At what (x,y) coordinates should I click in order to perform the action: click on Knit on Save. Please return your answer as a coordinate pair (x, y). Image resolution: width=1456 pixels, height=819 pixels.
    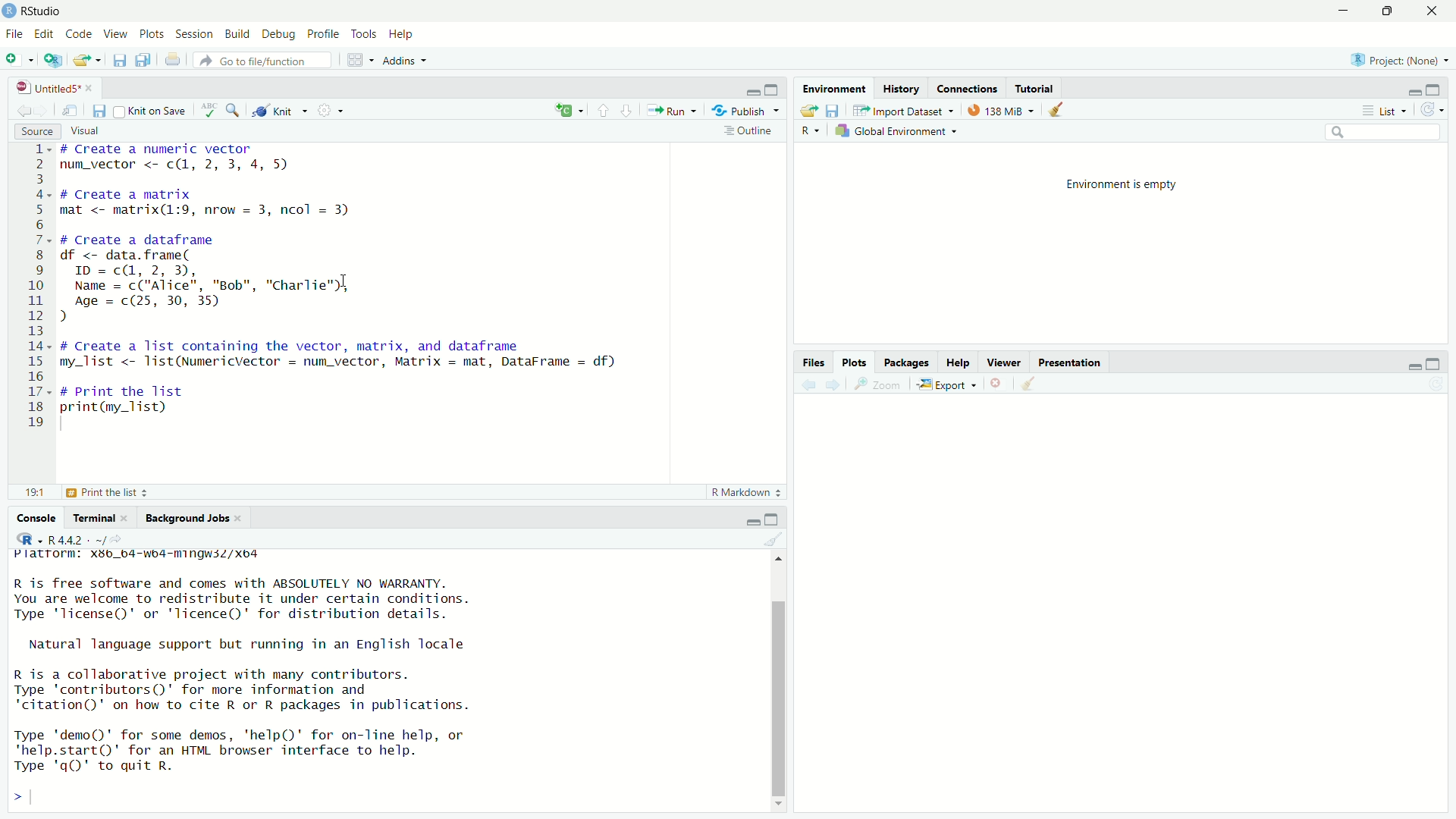
    Looking at the image, I should click on (148, 110).